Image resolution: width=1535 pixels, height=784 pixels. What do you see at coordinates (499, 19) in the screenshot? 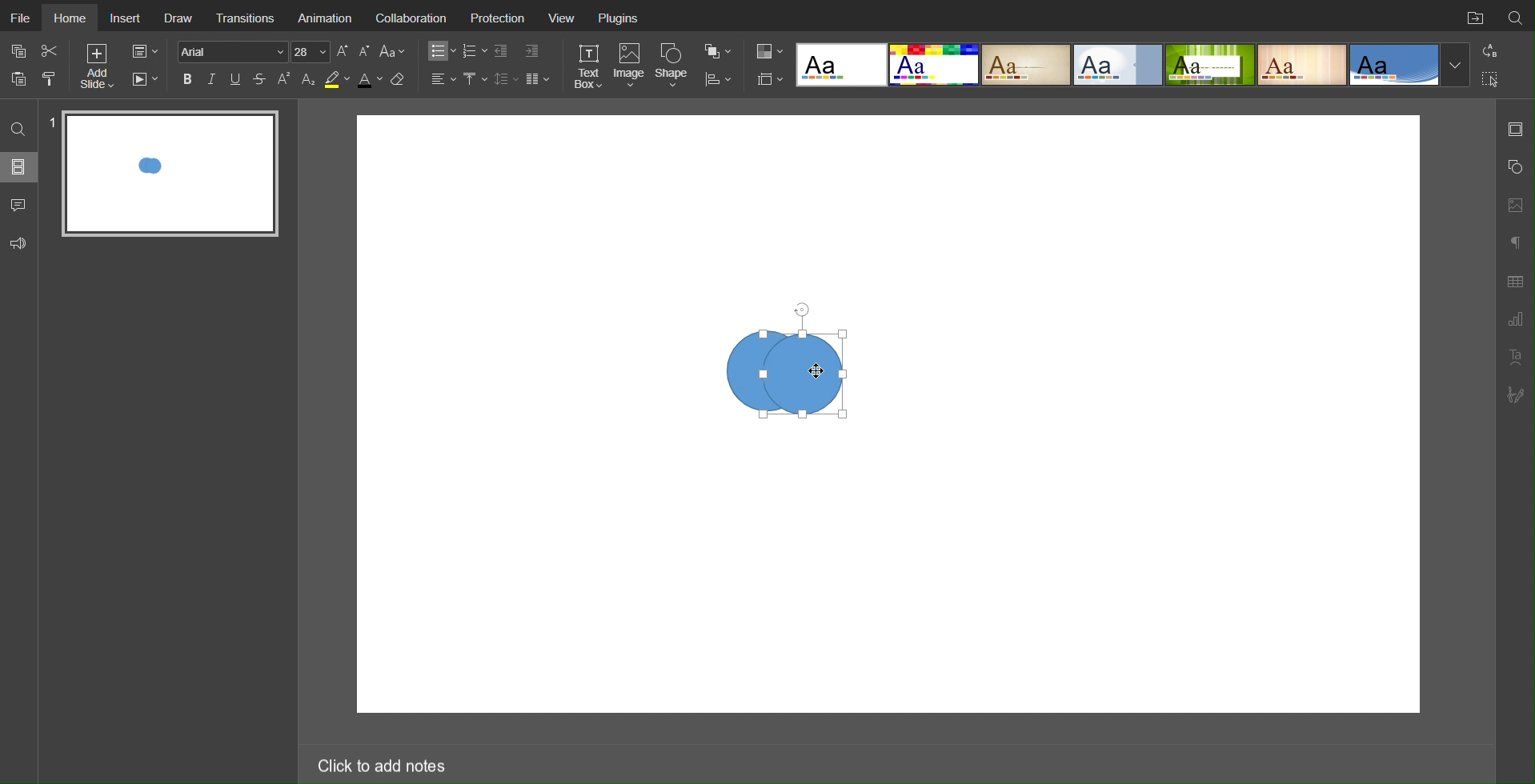
I see `Protection` at bounding box center [499, 19].